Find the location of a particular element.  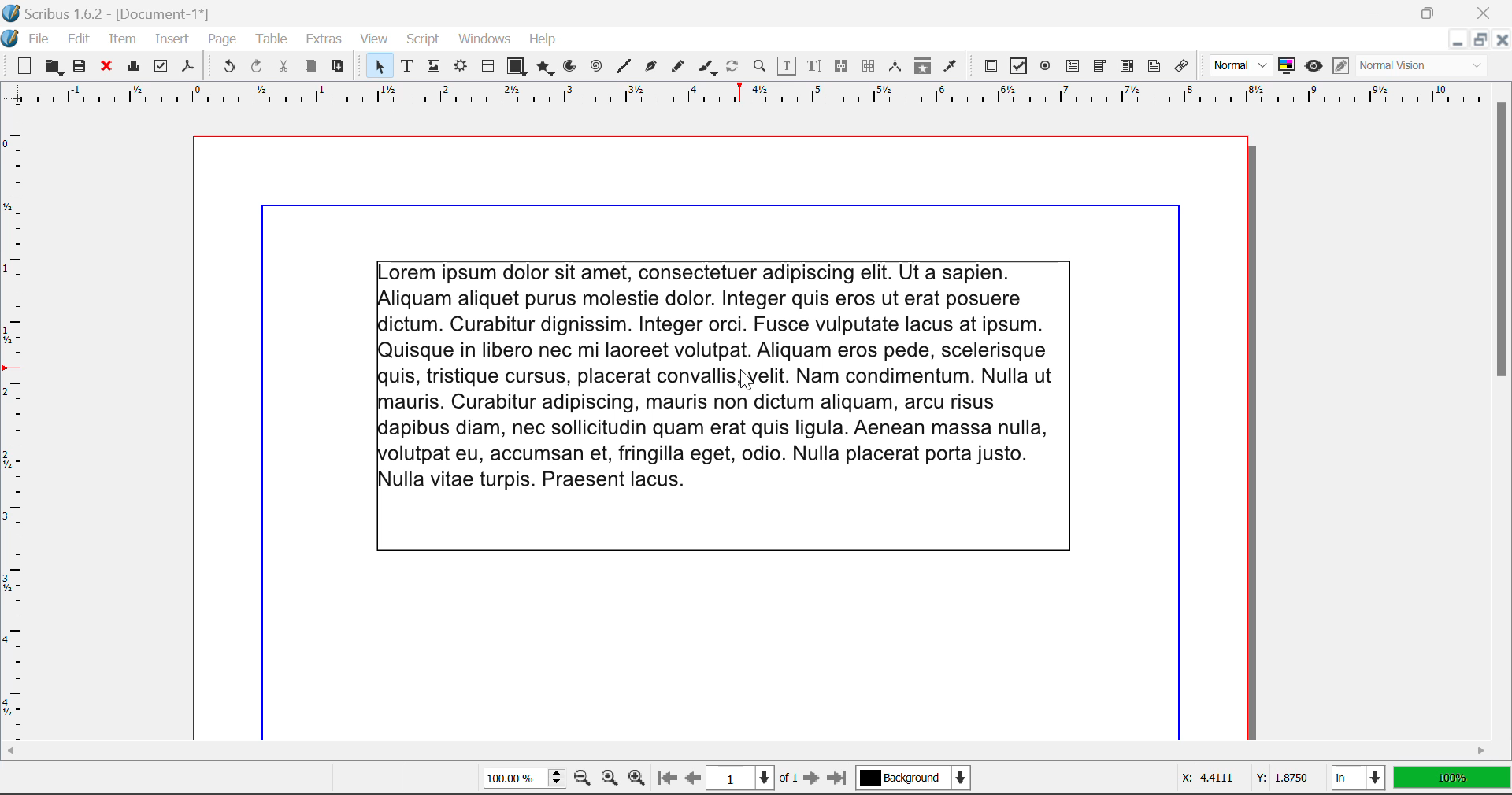

Edit in Preview Mode is located at coordinates (1341, 66).